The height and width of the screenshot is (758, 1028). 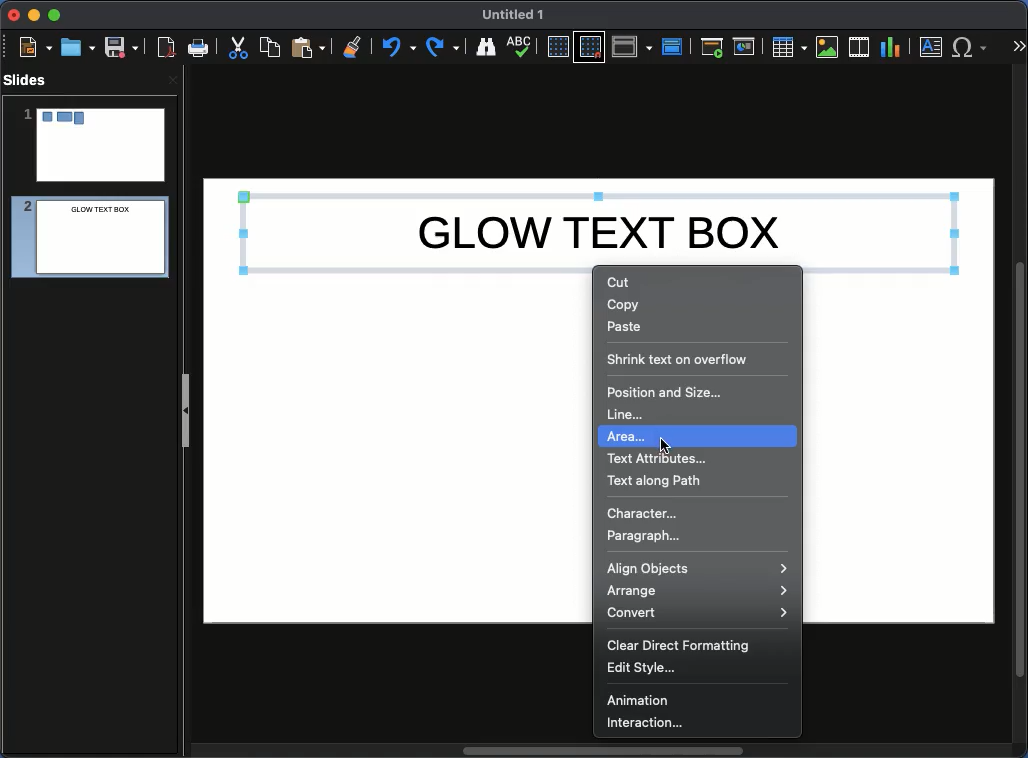 I want to click on Textbox, so click(x=932, y=46).